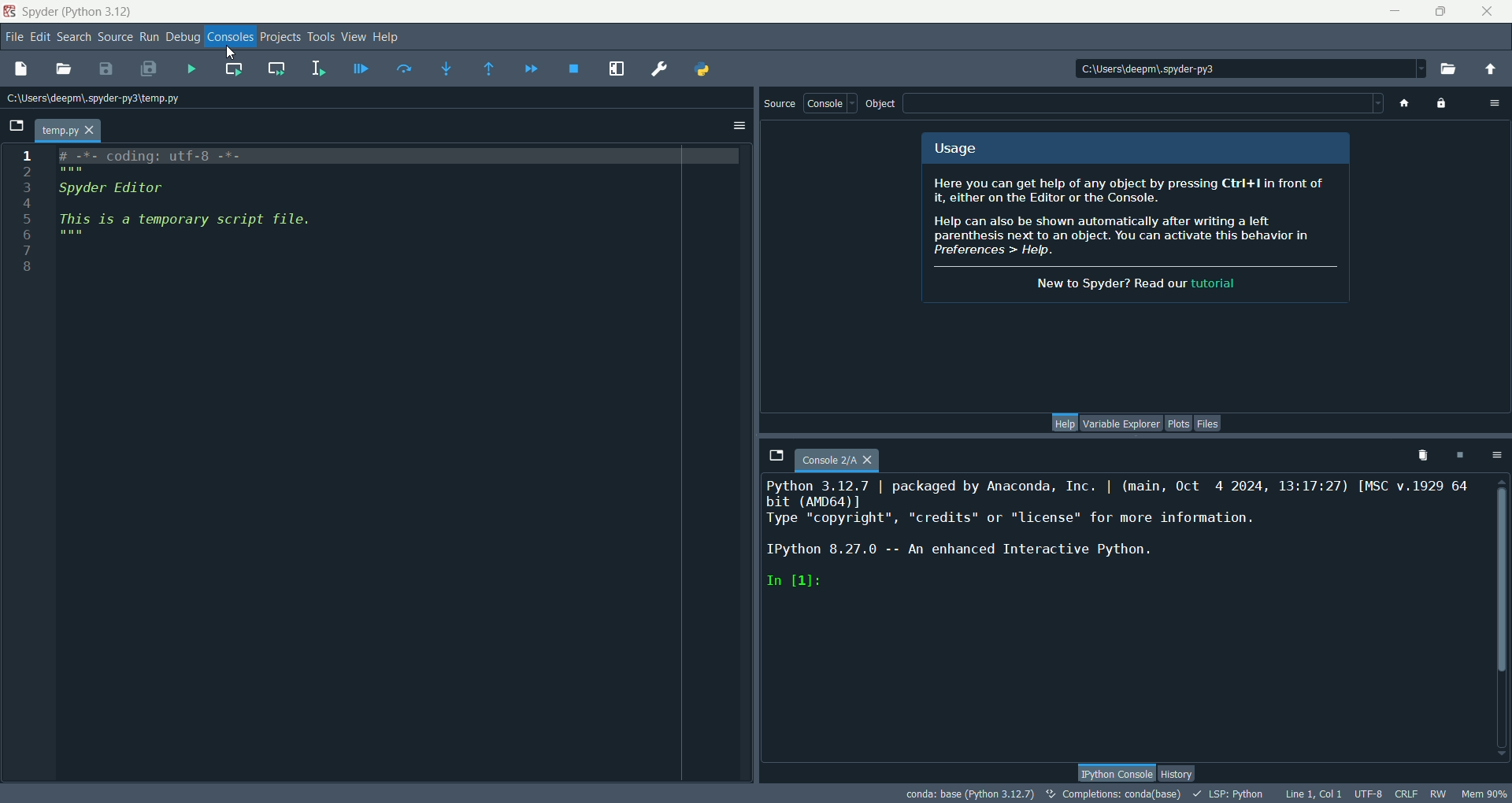 Image resolution: width=1512 pixels, height=803 pixels. I want to click on continue execution until next breakpoint, so click(531, 69).